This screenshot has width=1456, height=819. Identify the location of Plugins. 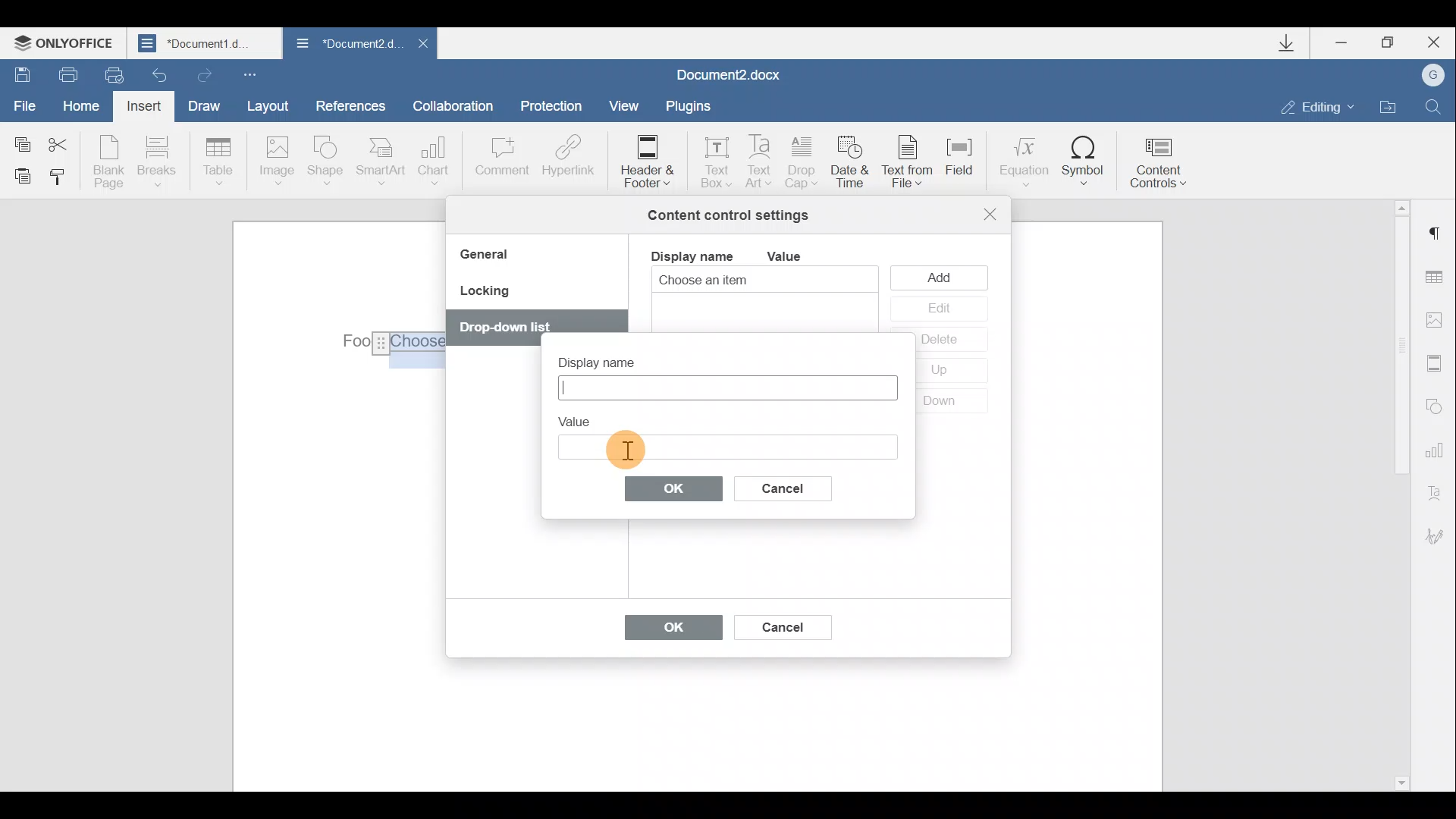
(693, 106).